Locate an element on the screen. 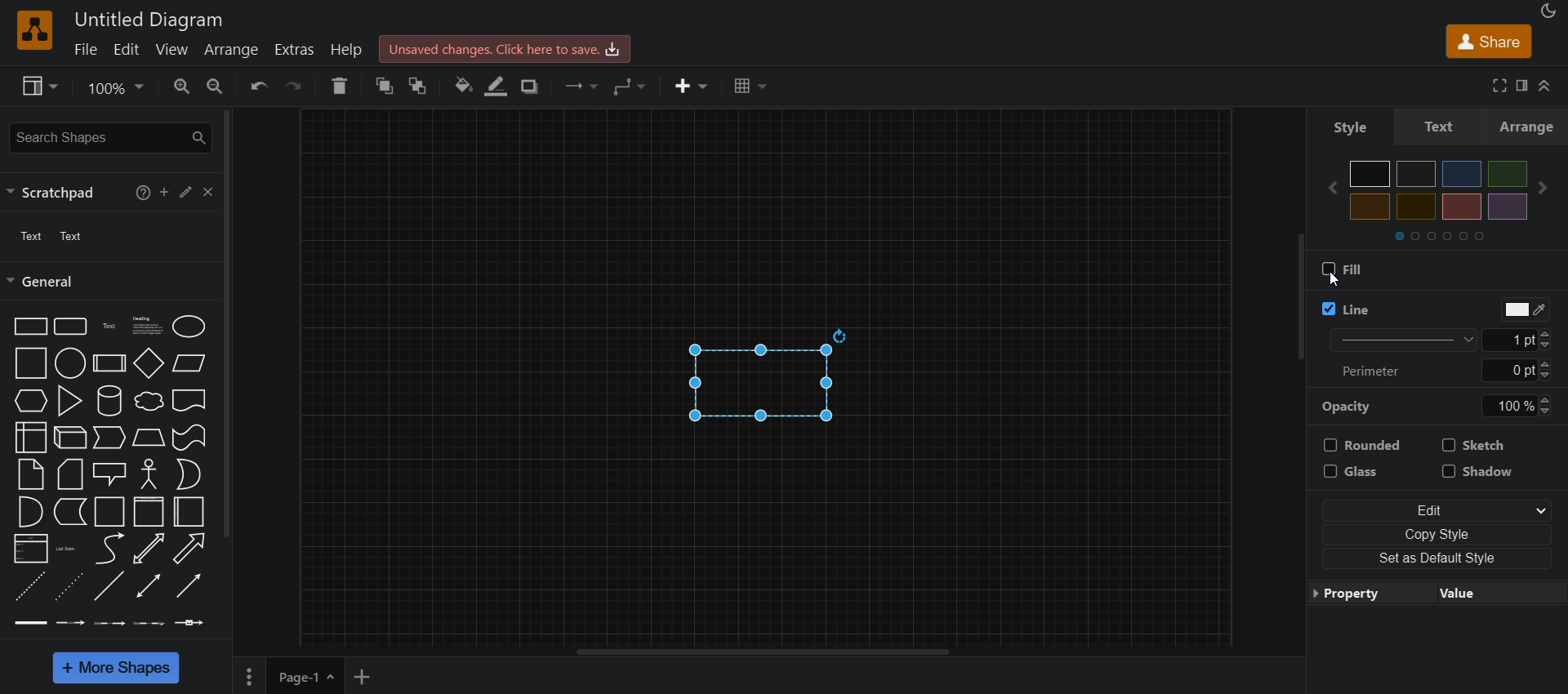 This screenshot has height=694, width=1568. rotate diagram is located at coordinates (844, 335).